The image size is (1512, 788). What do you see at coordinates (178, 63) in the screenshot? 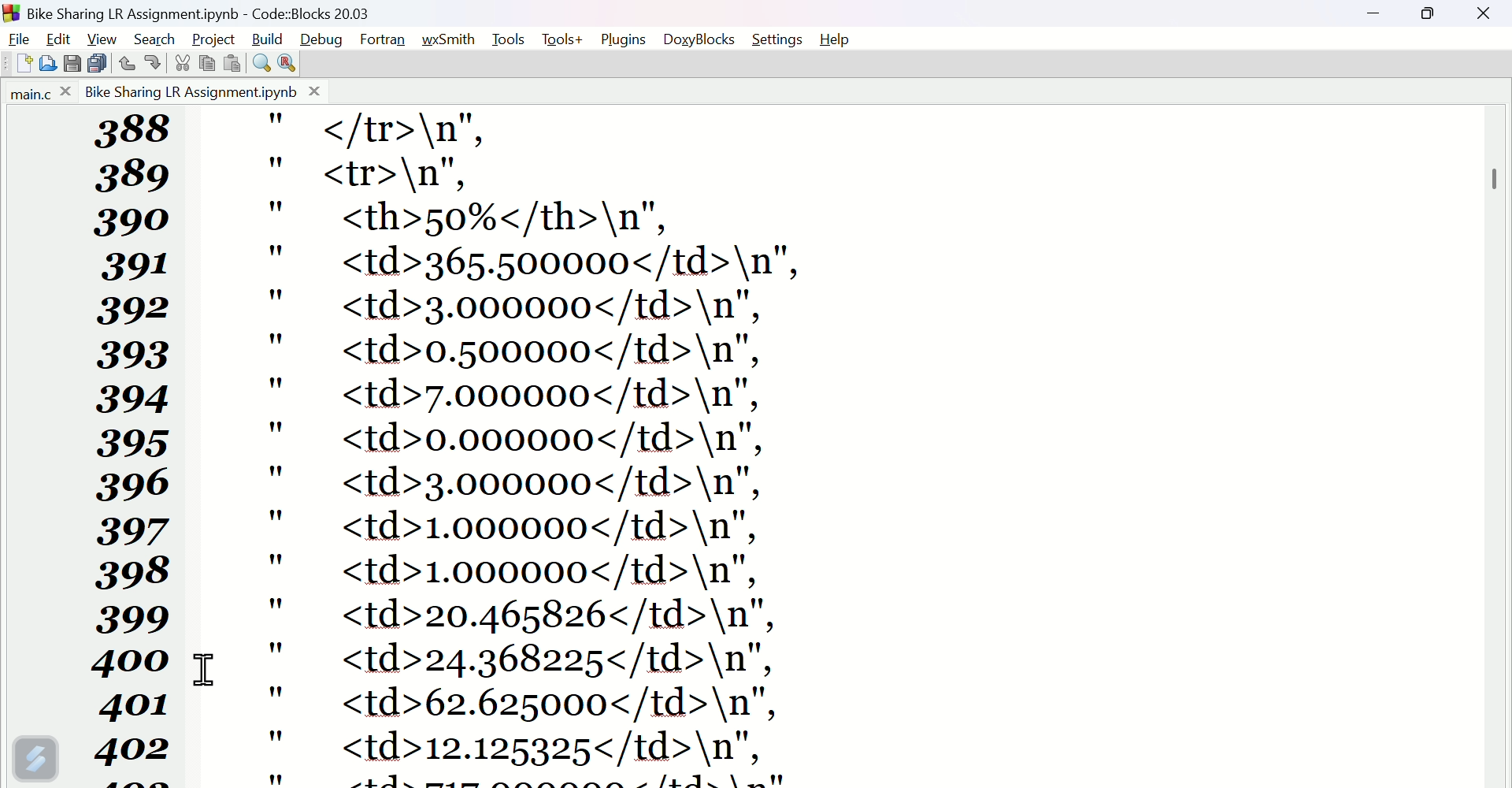
I see `Cut` at bounding box center [178, 63].